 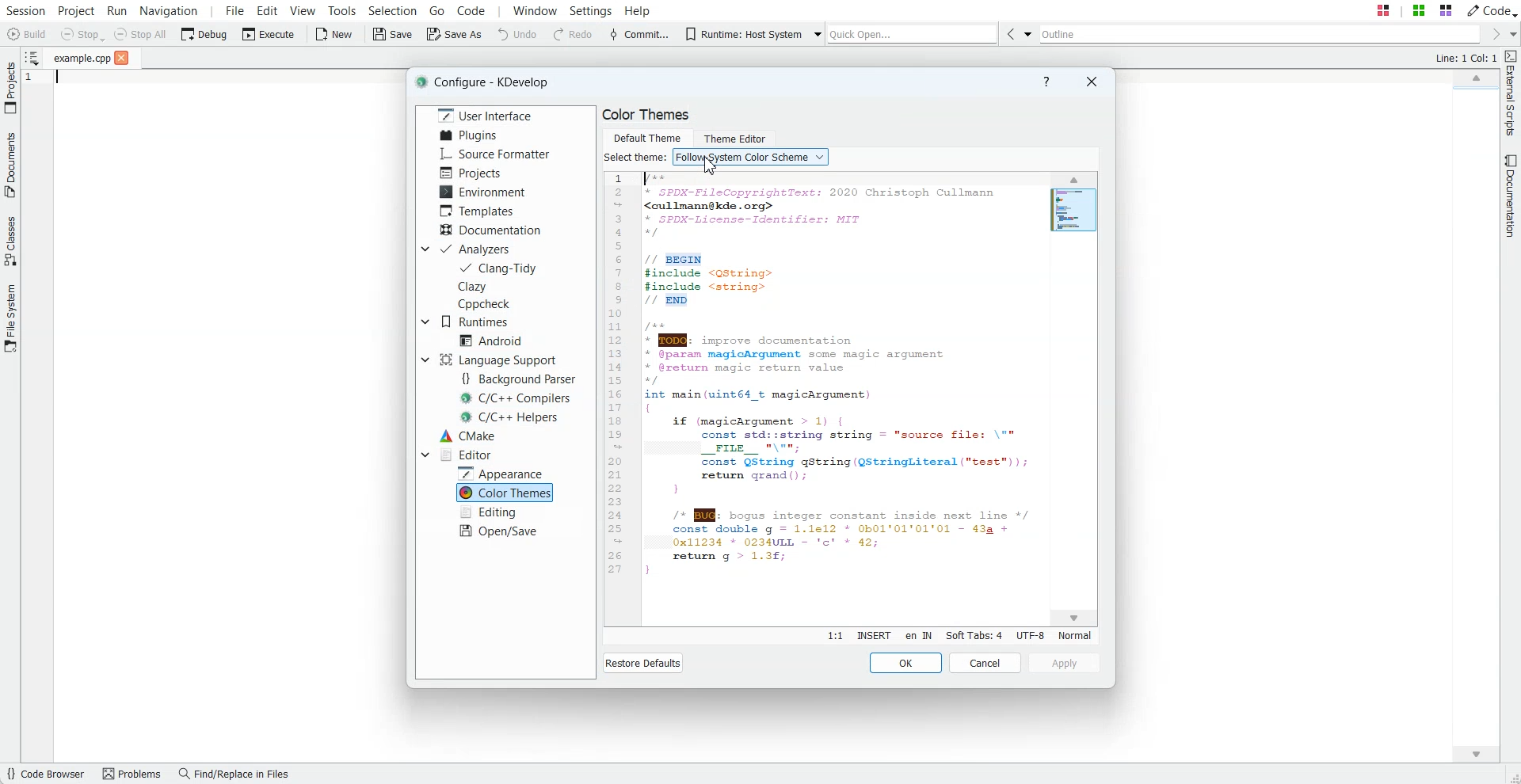 I want to click on Go Back, so click(x=1008, y=33).